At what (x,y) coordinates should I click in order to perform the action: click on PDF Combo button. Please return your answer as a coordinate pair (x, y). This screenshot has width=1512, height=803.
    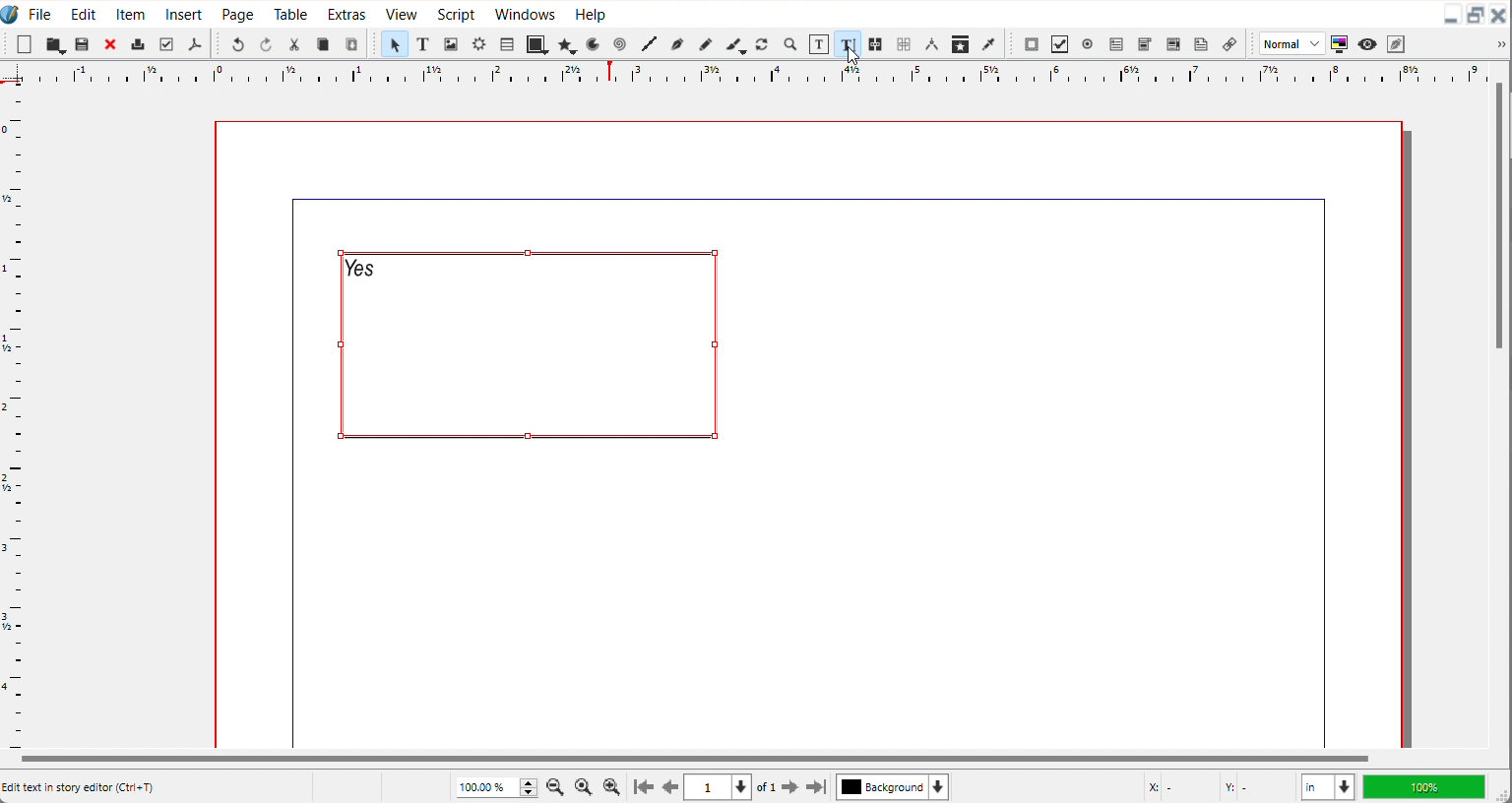
    Looking at the image, I should click on (1144, 44).